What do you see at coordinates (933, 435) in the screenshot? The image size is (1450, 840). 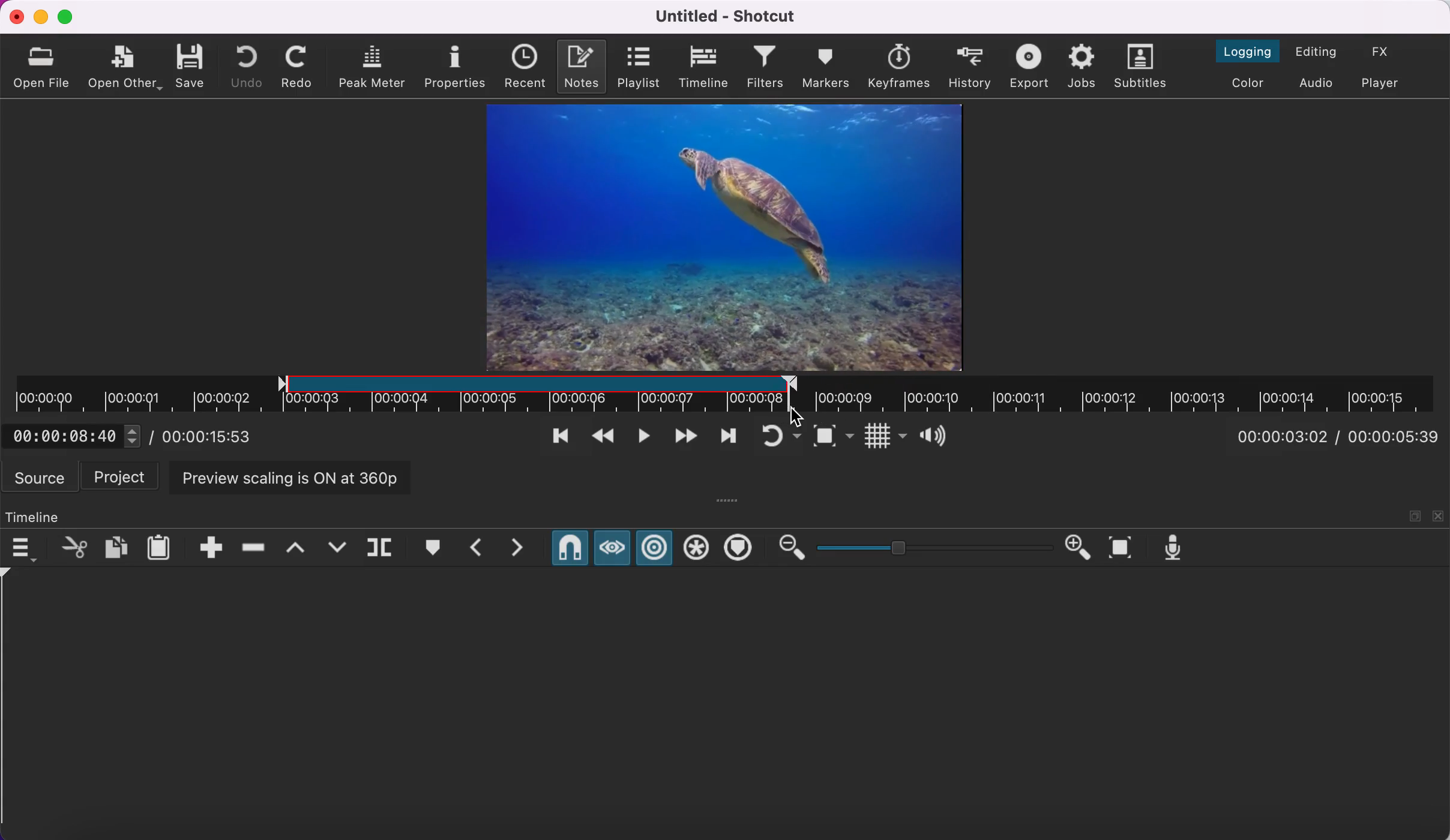 I see `` at bounding box center [933, 435].